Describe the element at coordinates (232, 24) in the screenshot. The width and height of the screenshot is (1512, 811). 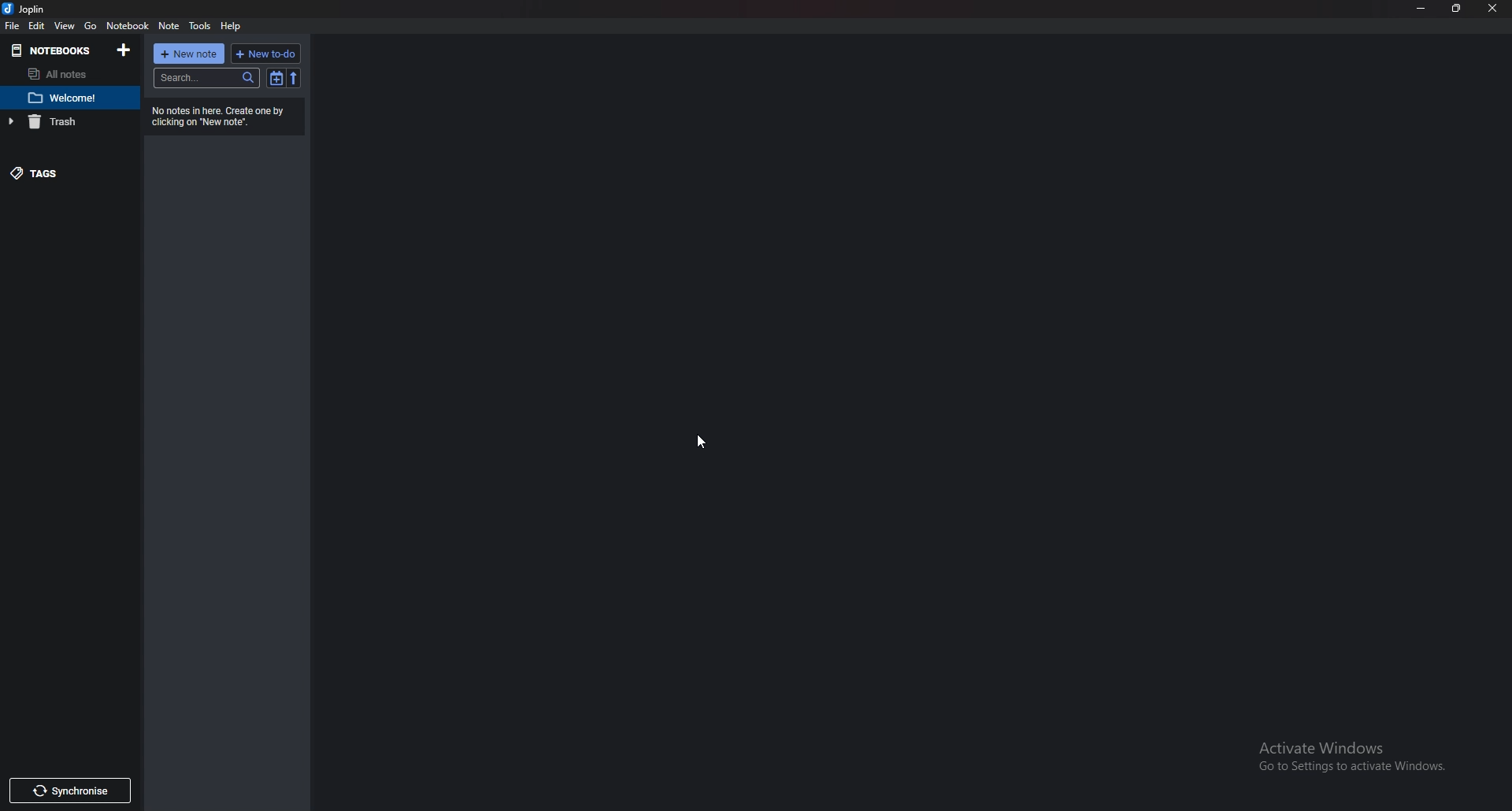
I see `help` at that location.